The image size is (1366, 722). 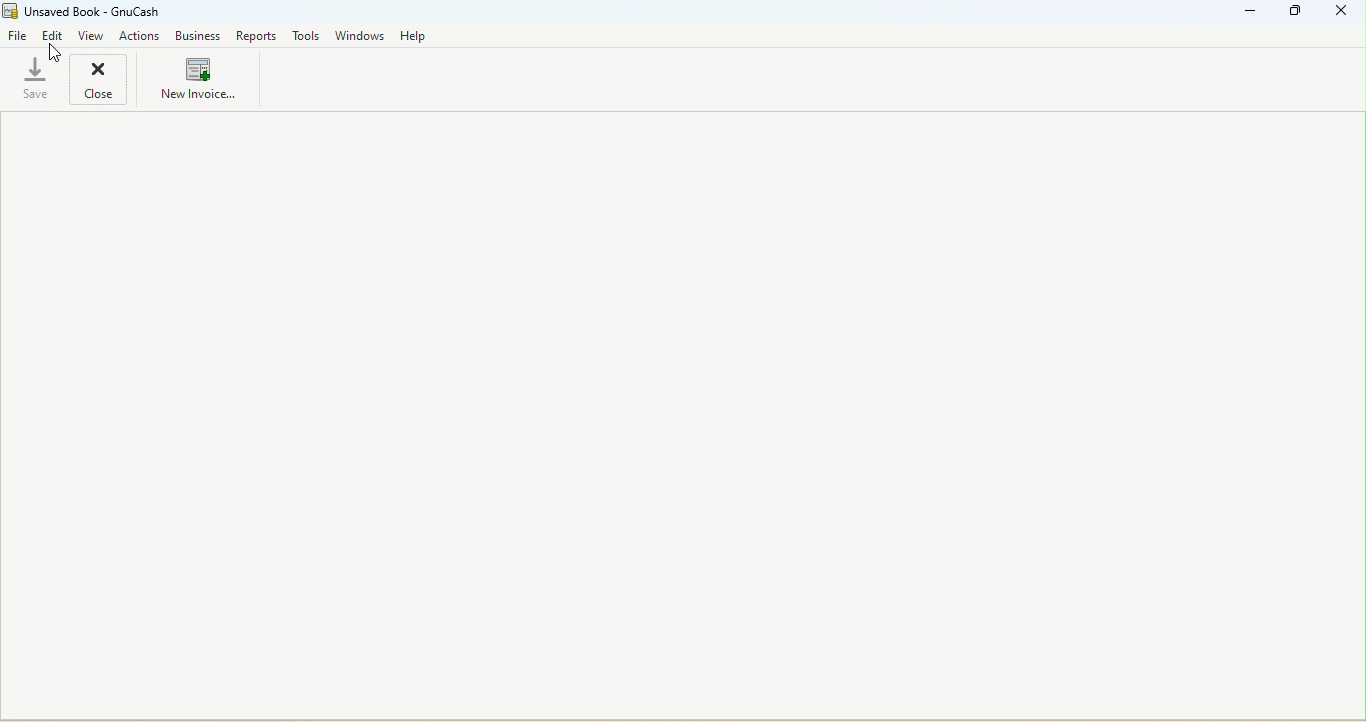 What do you see at coordinates (1295, 15) in the screenshot?
I see `Maximize` at bounding box center [1295, 15].